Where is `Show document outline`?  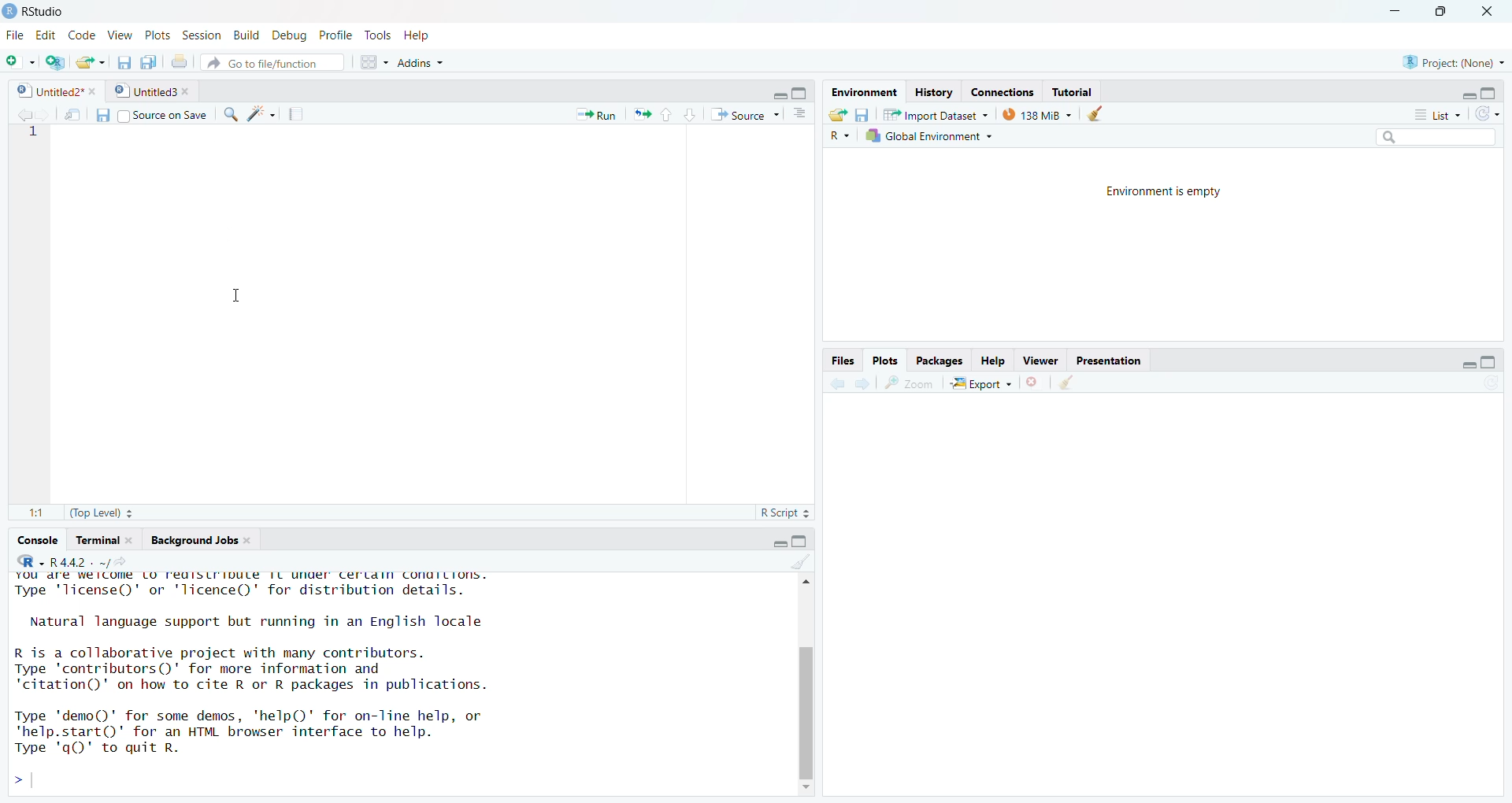
Show document outline is located at coordinates (800, 116).